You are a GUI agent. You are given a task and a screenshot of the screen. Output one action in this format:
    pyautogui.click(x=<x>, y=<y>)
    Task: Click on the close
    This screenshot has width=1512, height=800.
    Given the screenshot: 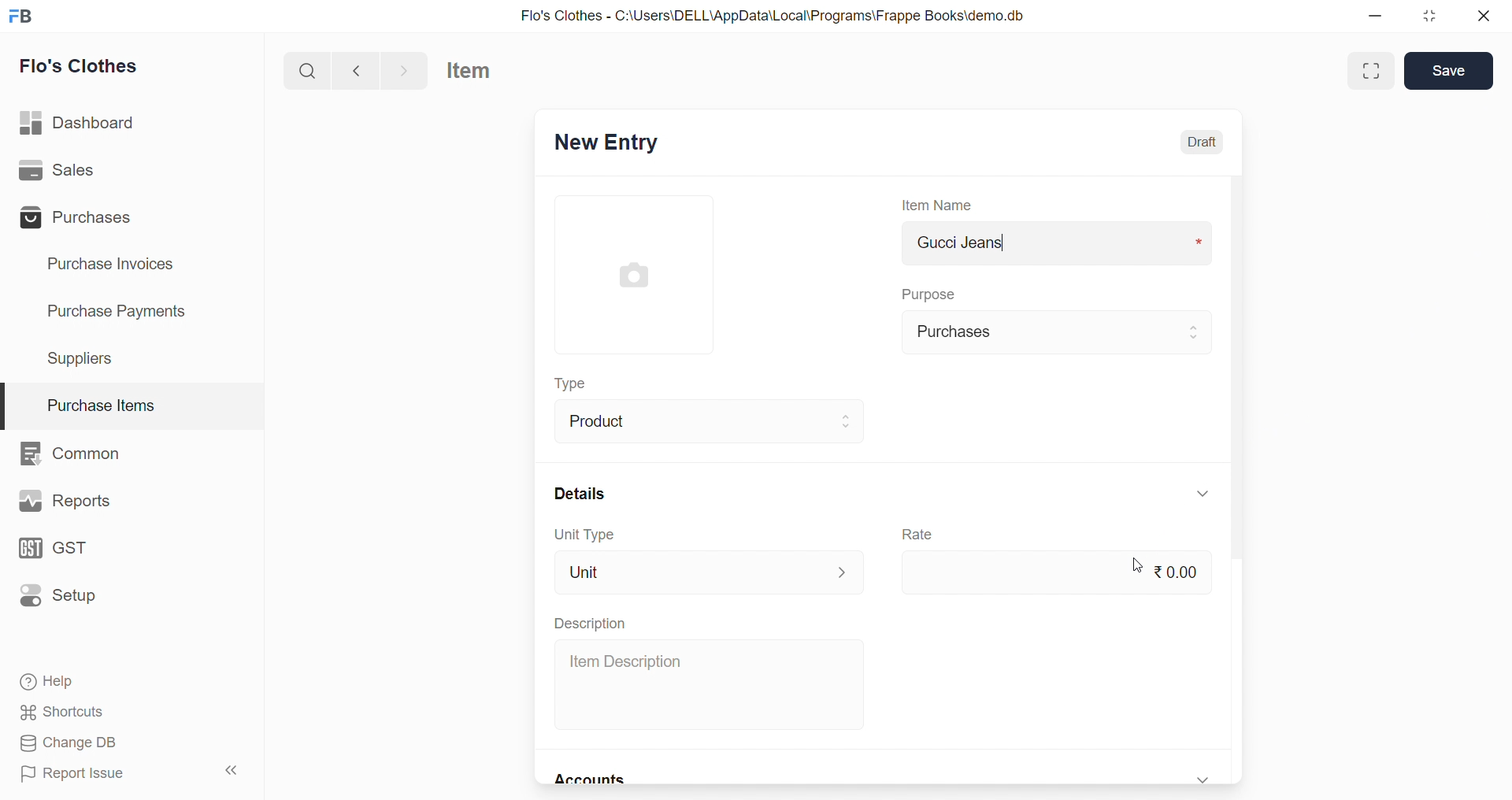 What is the action you would take?
    pyautogui.click(x=1478, y=16)
    